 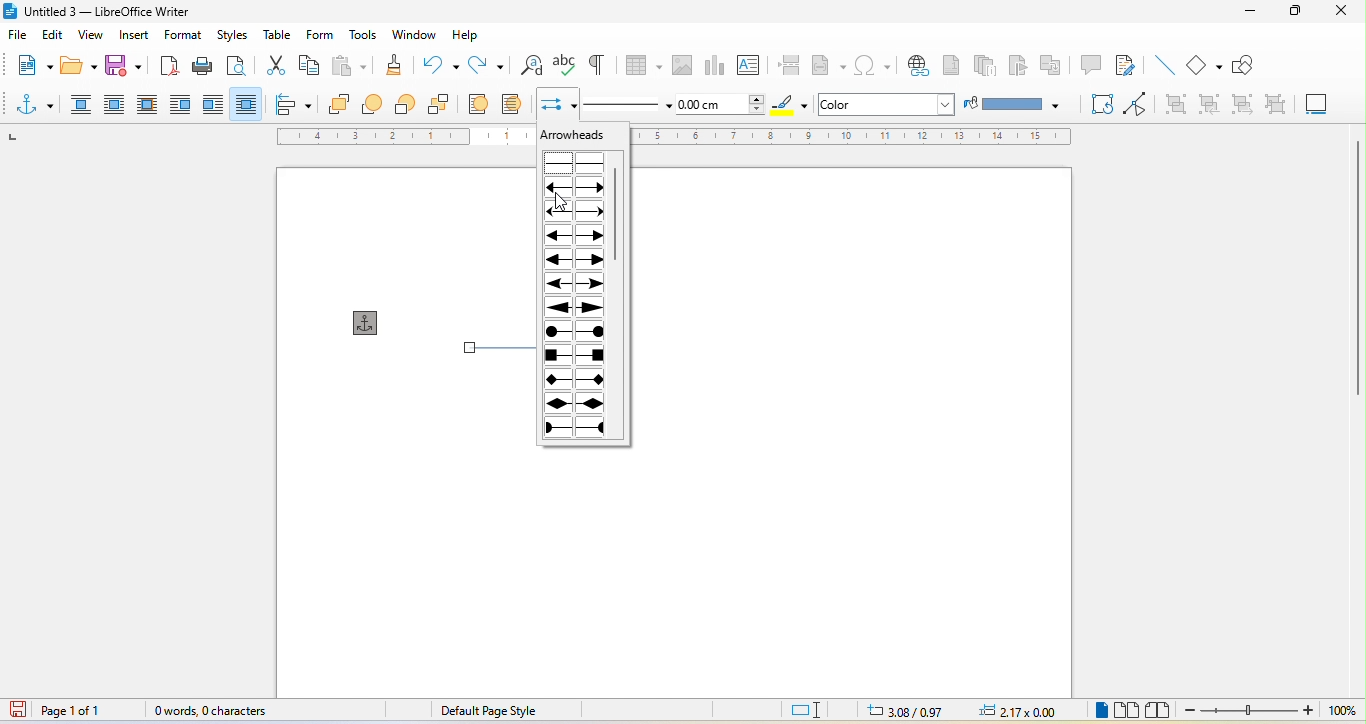 What do you see at coordinates (578, 403) in the screenshot?
I see `diamond` at bounding box center [578, 403].